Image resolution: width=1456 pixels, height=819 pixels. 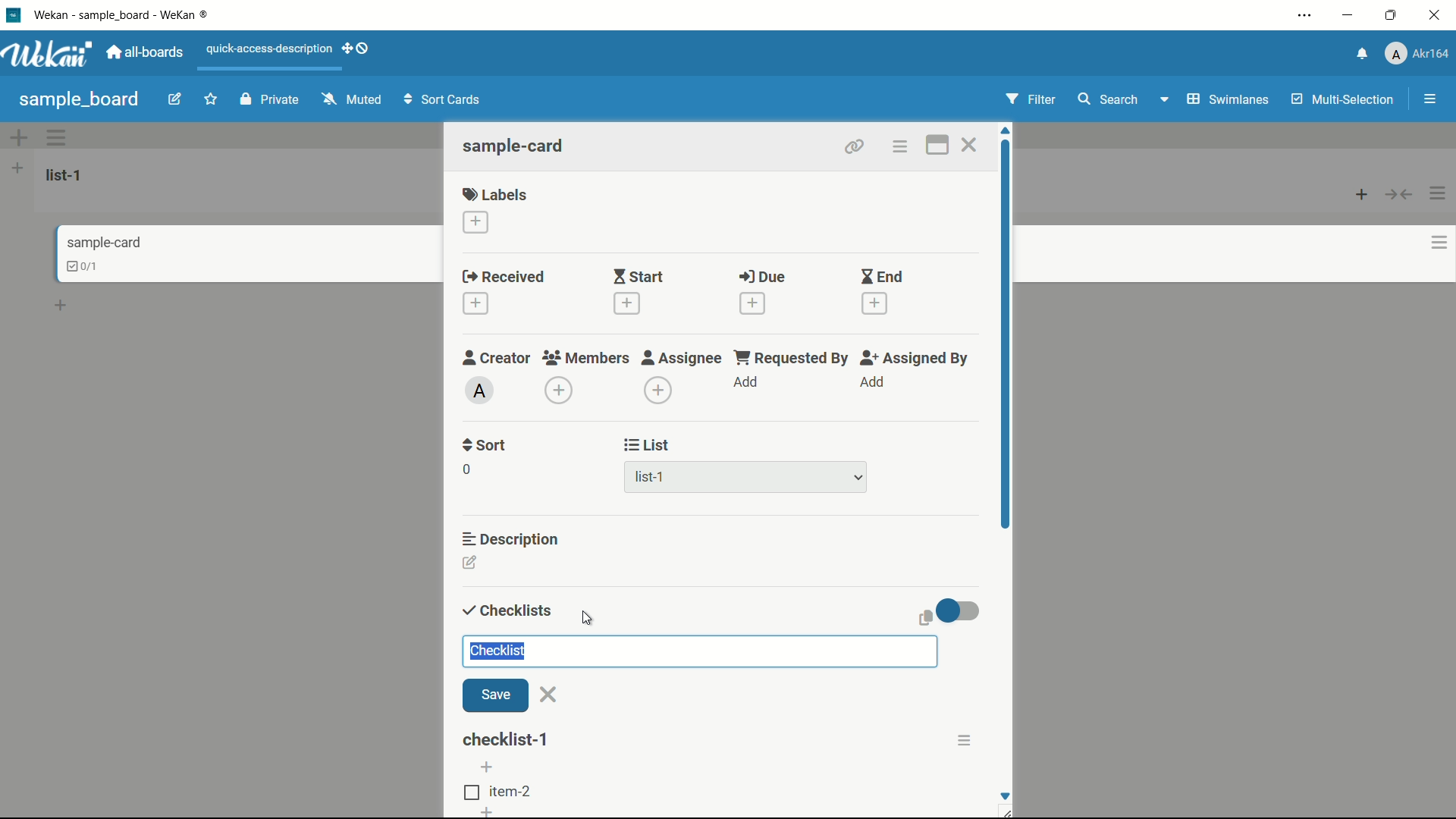 I want to click on sort cards, so click(x=444, y=101).